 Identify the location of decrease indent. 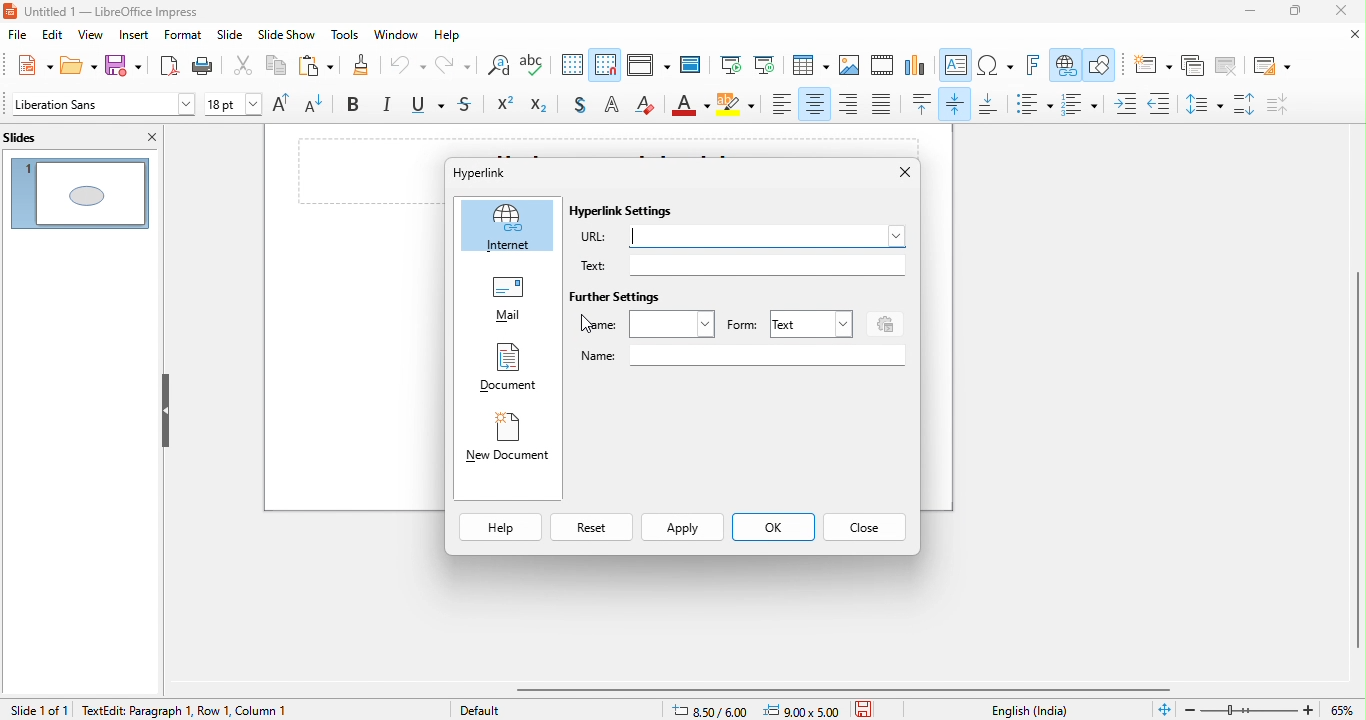
(1159, 101).